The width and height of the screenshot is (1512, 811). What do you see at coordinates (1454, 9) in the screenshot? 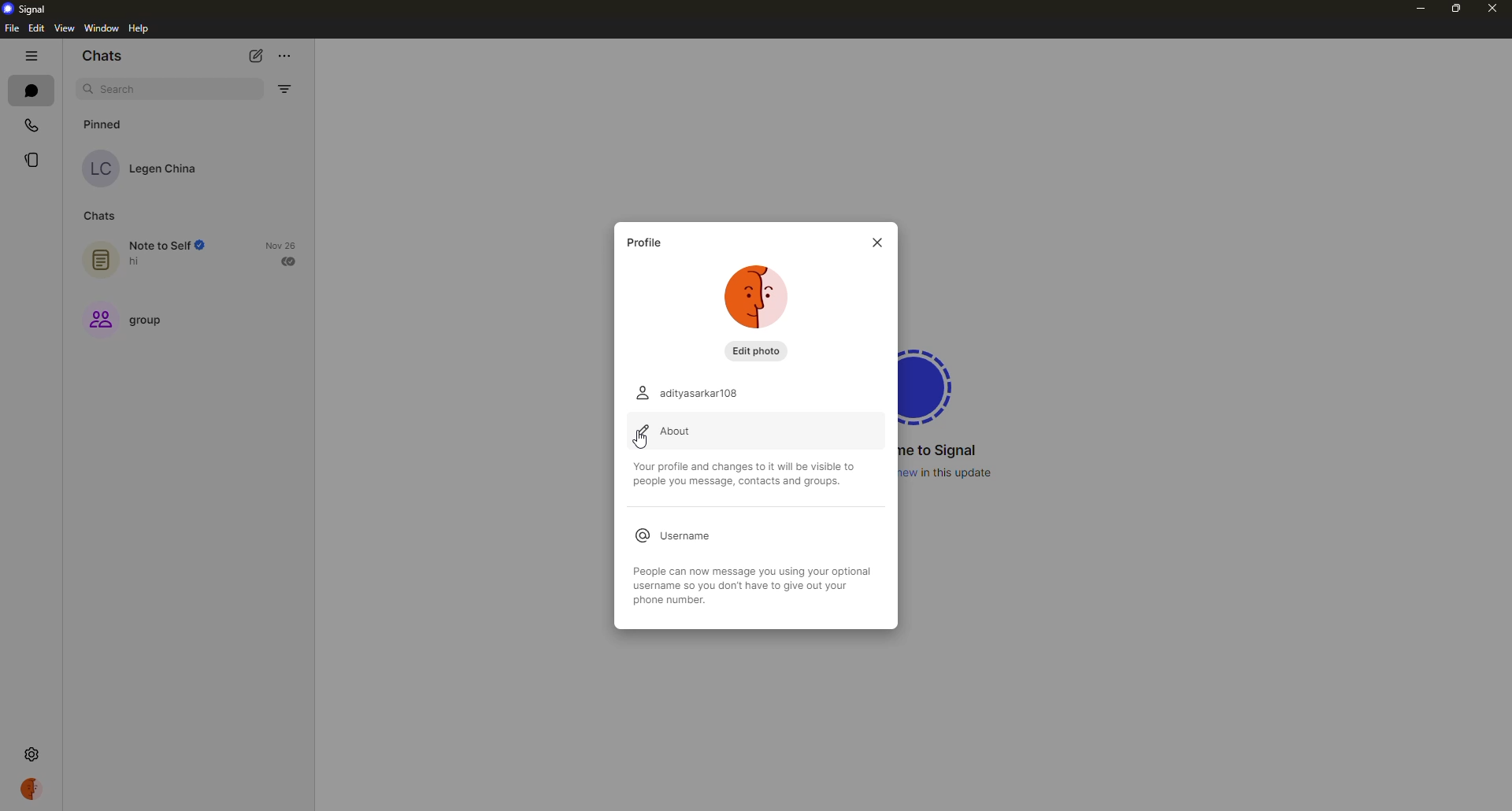
I see `maximize` at bounding box center [1454, 9].